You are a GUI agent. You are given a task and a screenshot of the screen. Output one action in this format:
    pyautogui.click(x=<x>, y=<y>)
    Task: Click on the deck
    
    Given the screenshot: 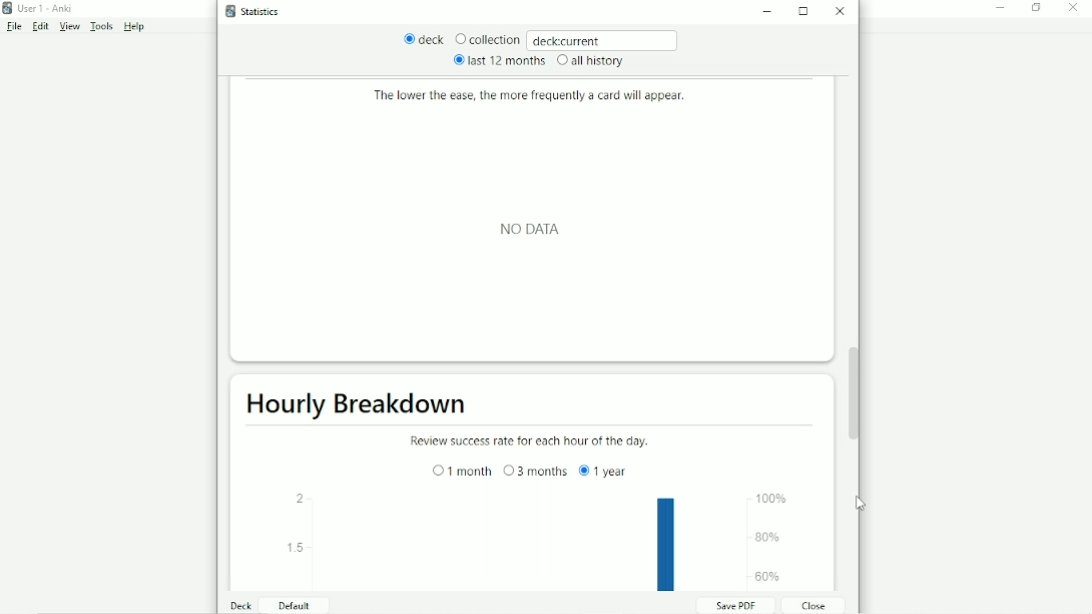 What is the action you would take?
    pyautogui.click(x=424, y=40)
    